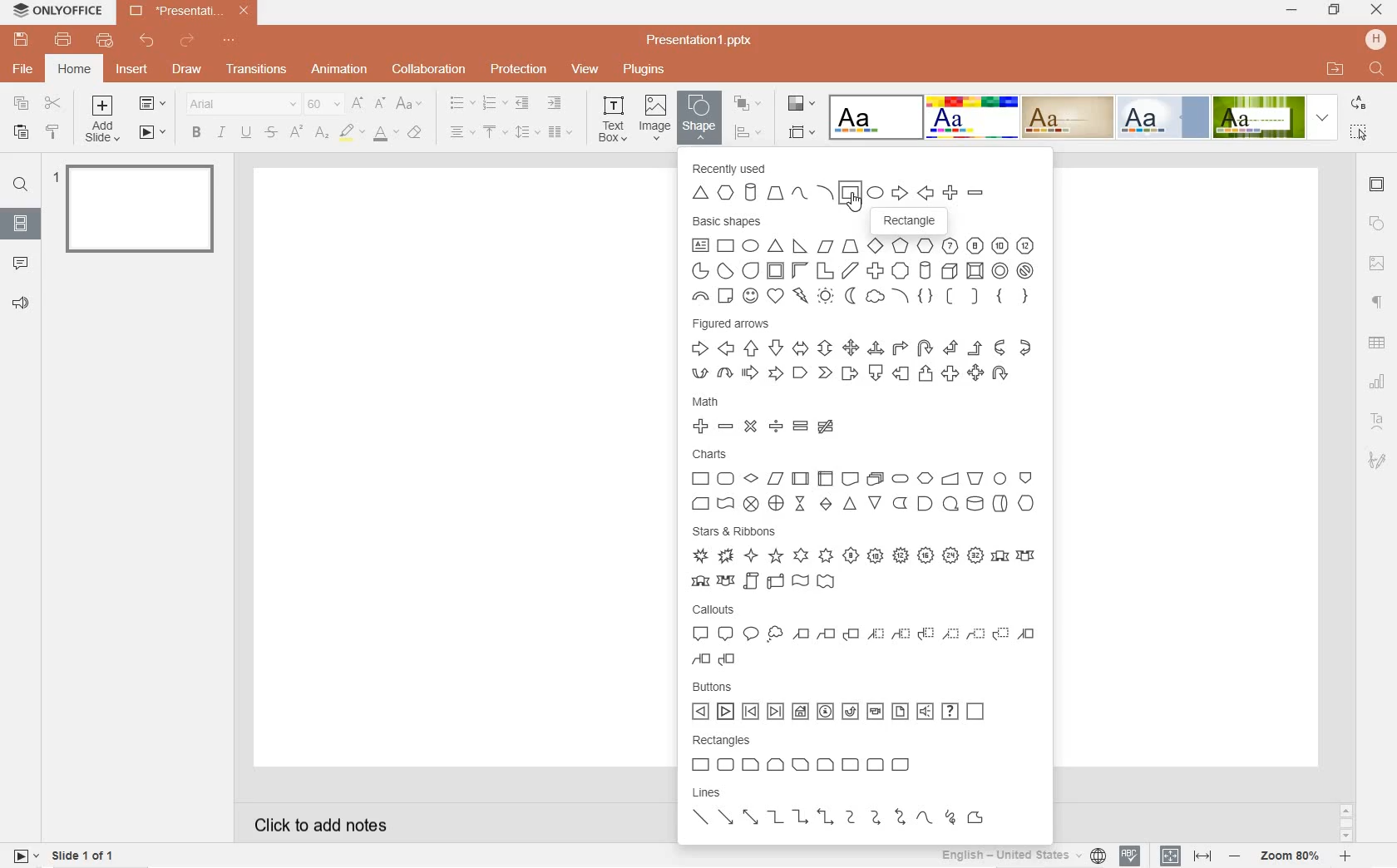  What do you see at coordinates (386, 136) in the screenshot?
I see `font color` at bounding box center [386, 136].